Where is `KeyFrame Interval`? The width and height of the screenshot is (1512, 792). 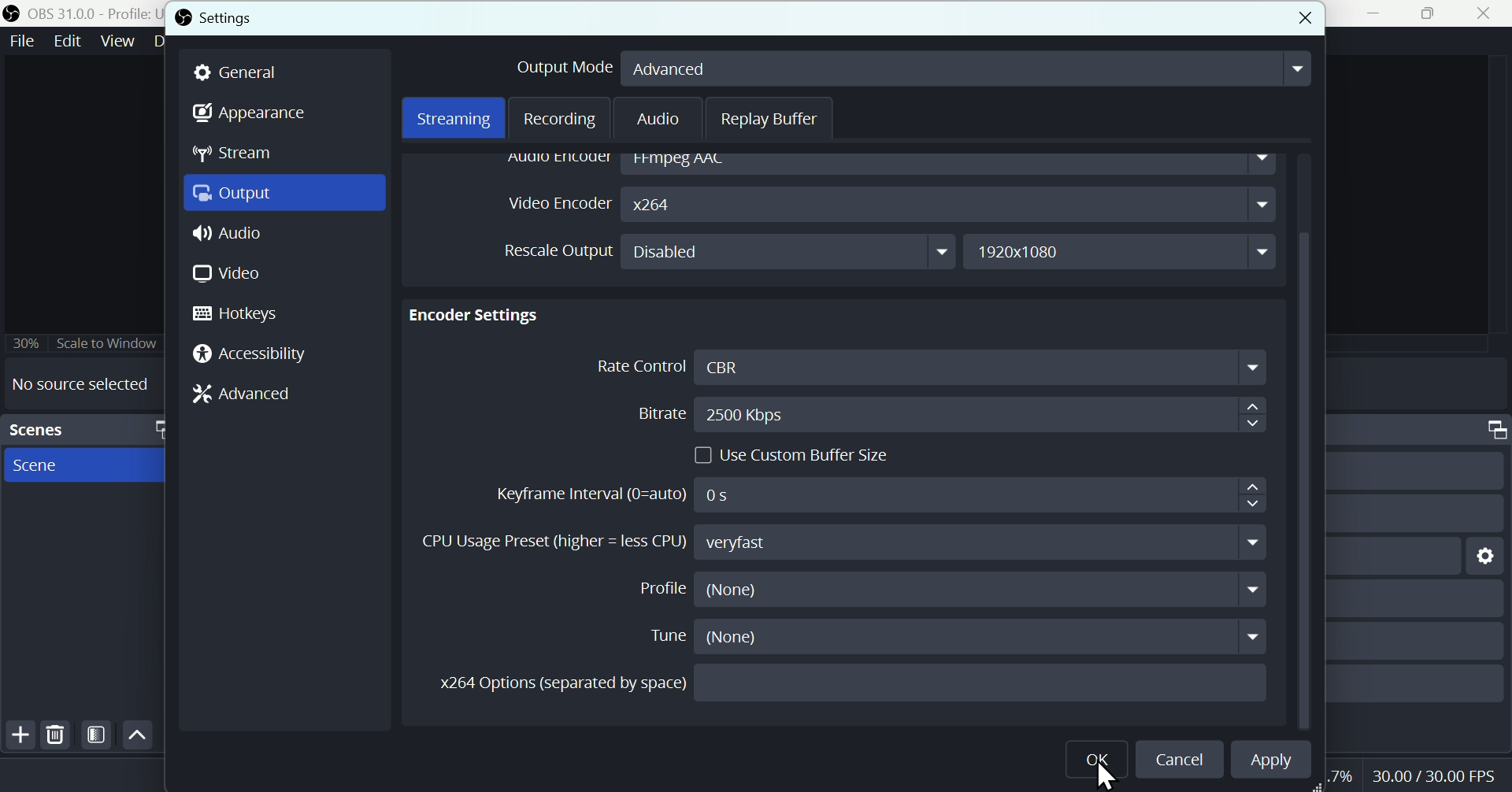 KeyFrame Interval is located at coordinates (879, 495).